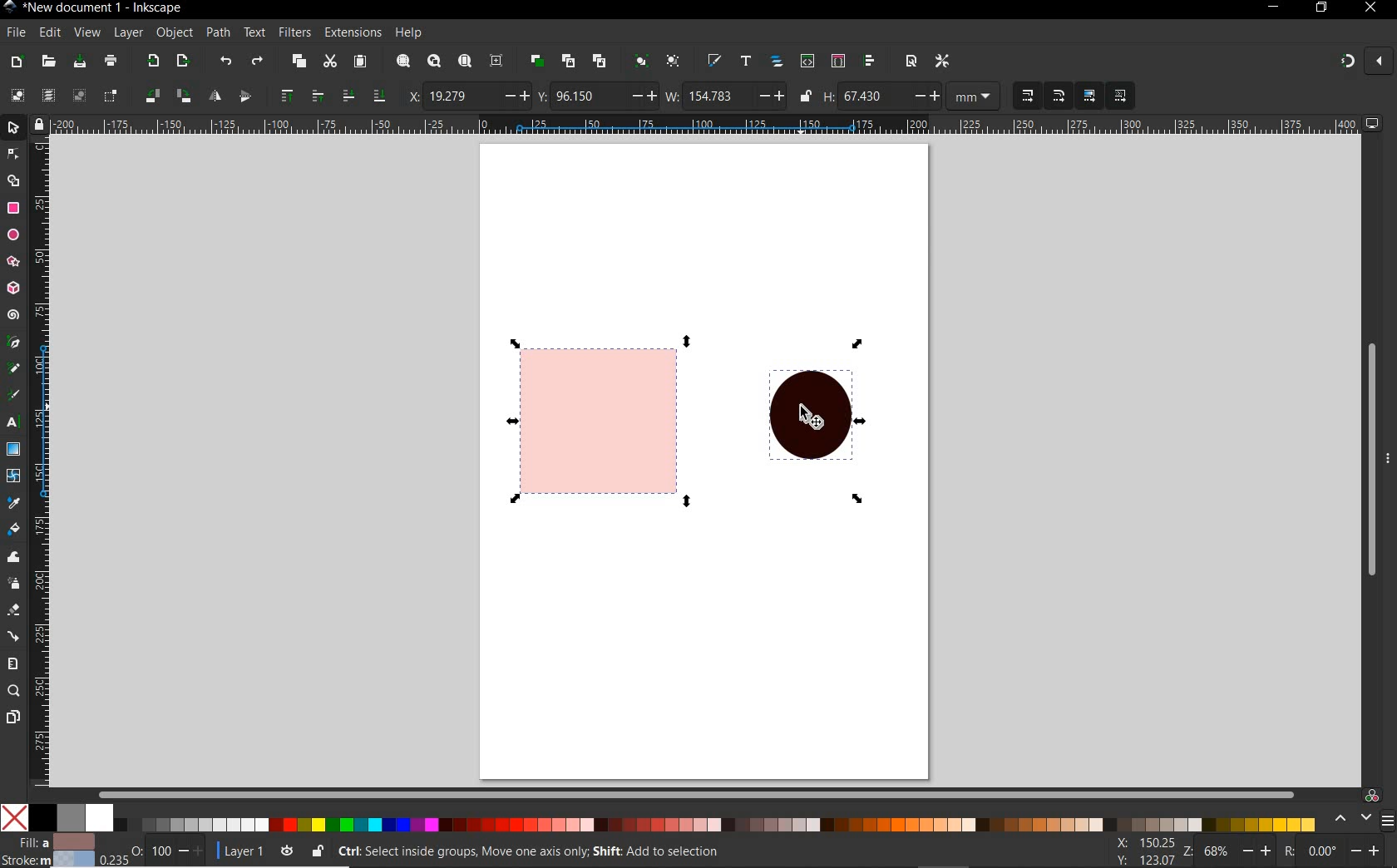  Describe the element at coordinates (942, 62) in the screenshot. I see `open preferances` at that location.